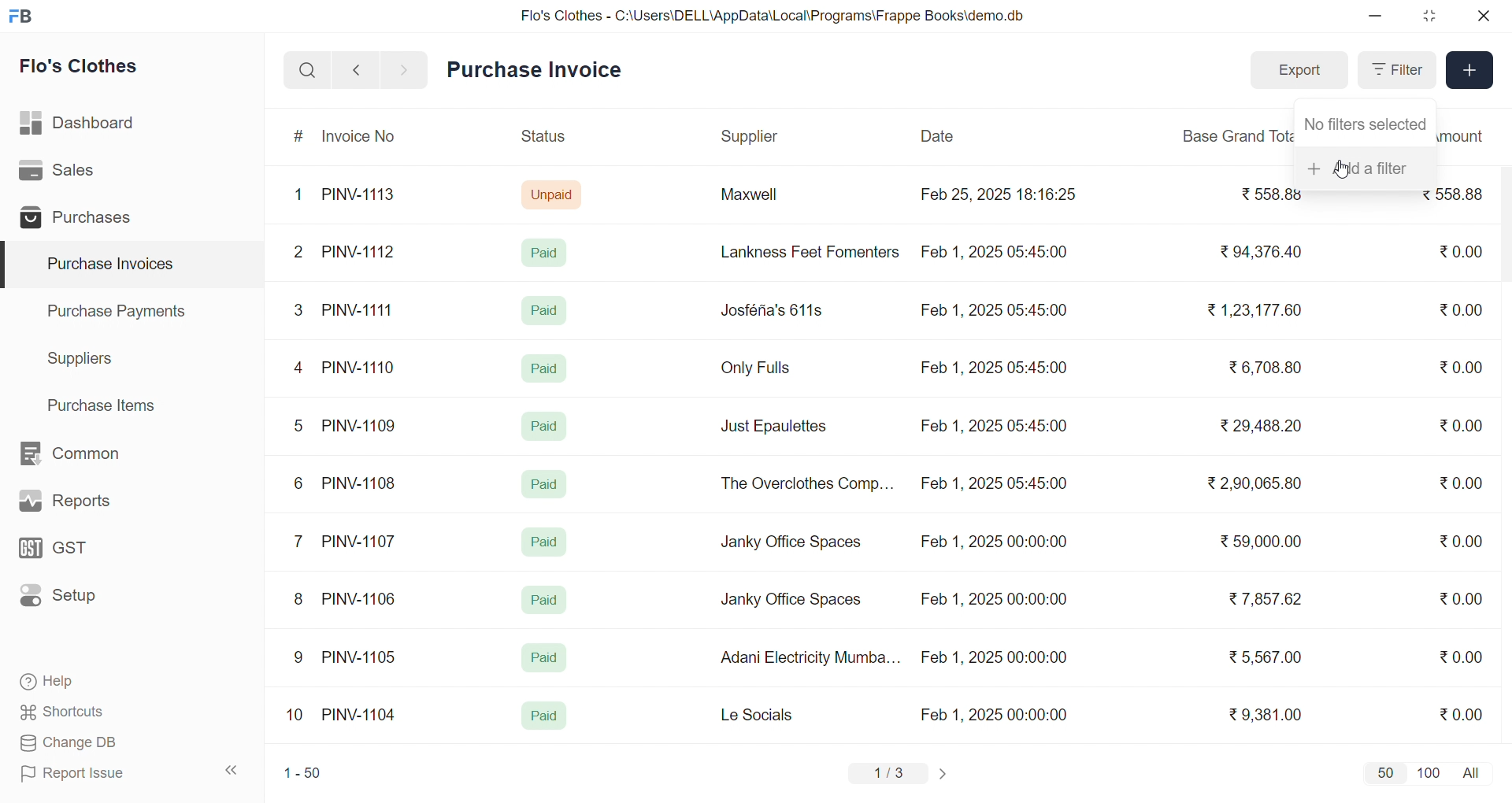 Image resolution: width=1512 pixels, height=803 pixels. Describe the element at coordinates (299, 138) in the screenshot. I see `#` at that location.